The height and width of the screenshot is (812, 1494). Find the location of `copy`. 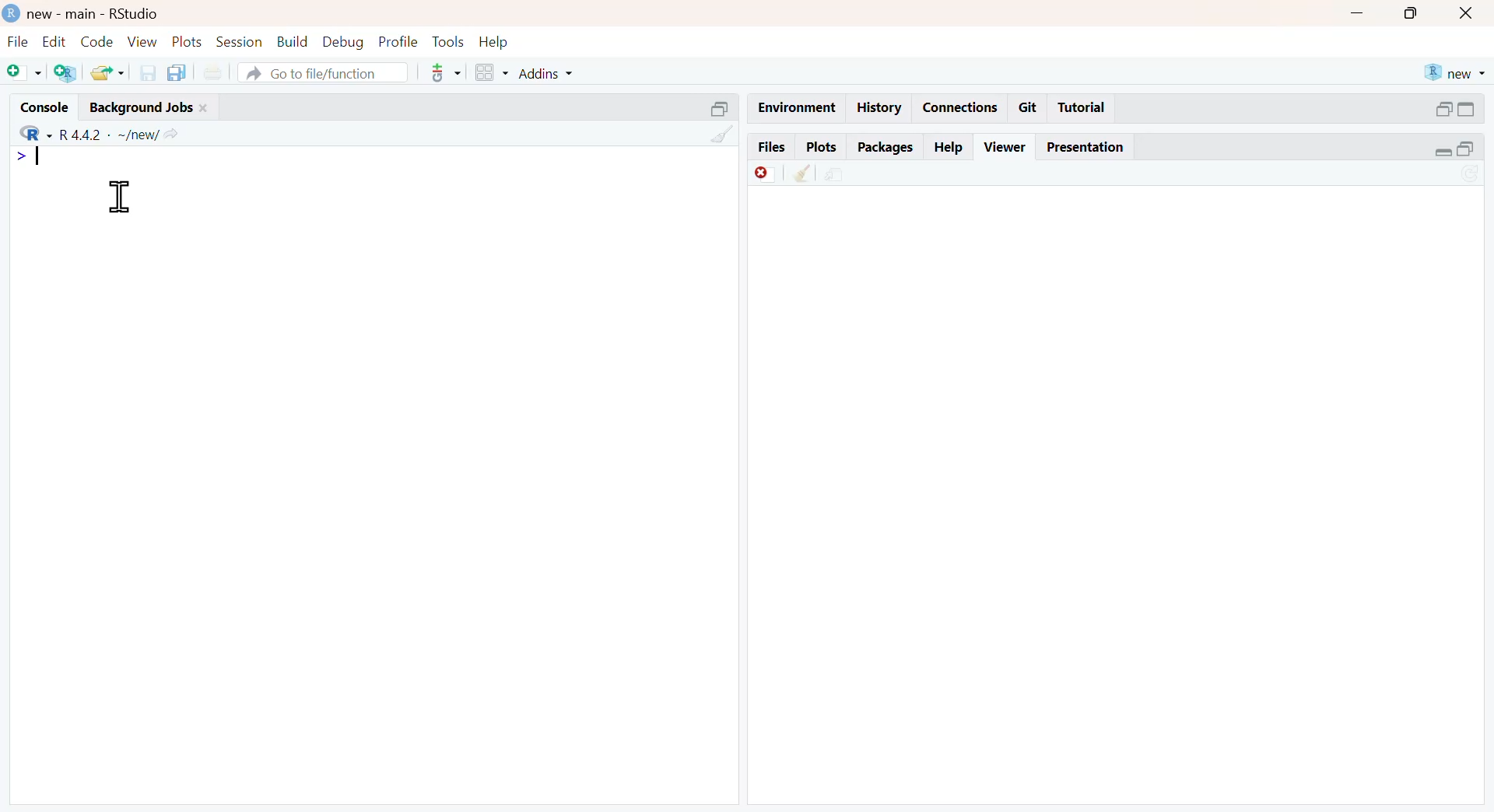

copy is located at coordinates (177, 72).